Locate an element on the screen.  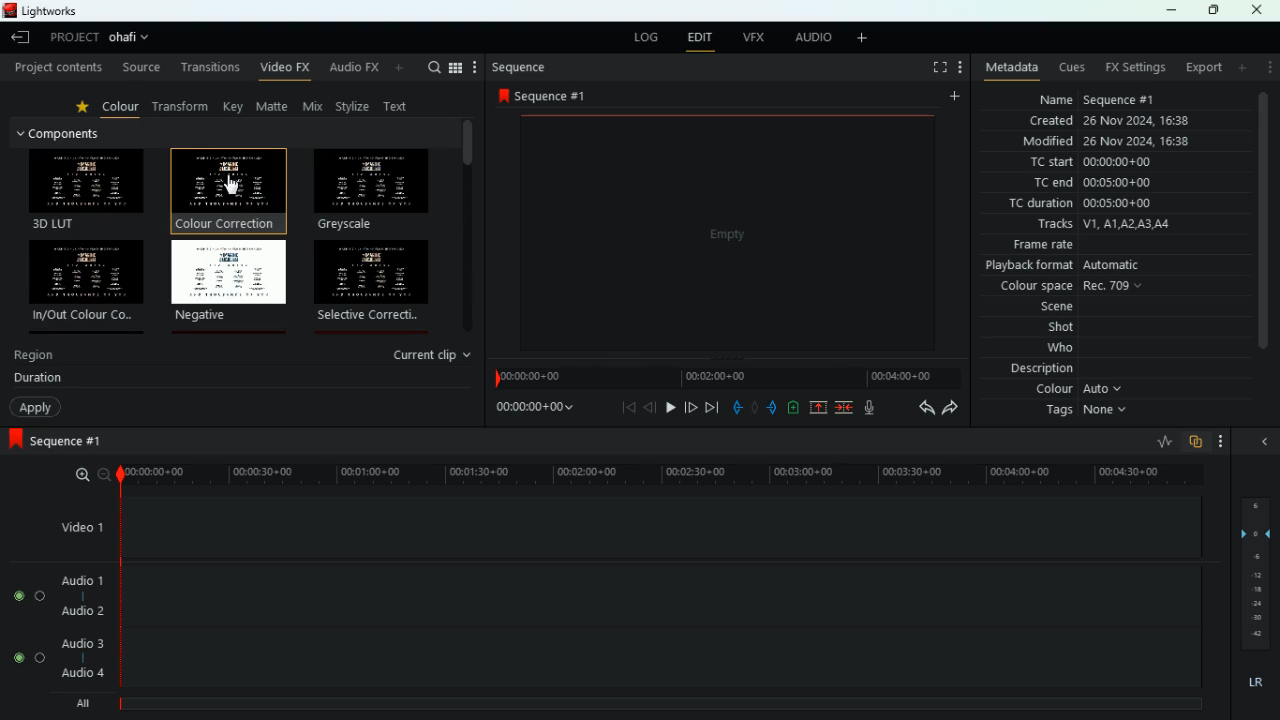
sequence is located at coordinates (549, 96).